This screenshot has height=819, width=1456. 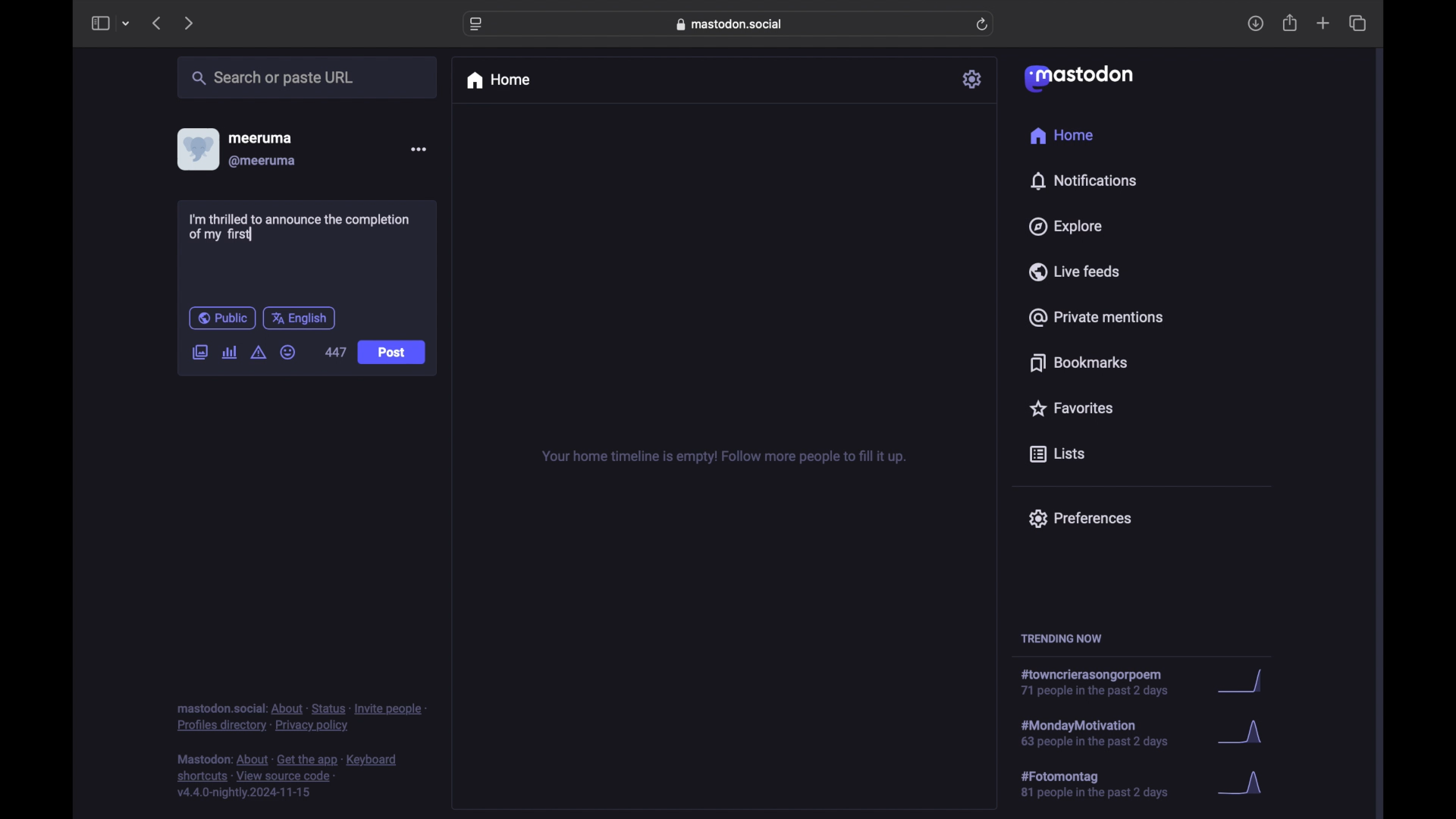 I want to click on graph, so click(x=1244, y=734).